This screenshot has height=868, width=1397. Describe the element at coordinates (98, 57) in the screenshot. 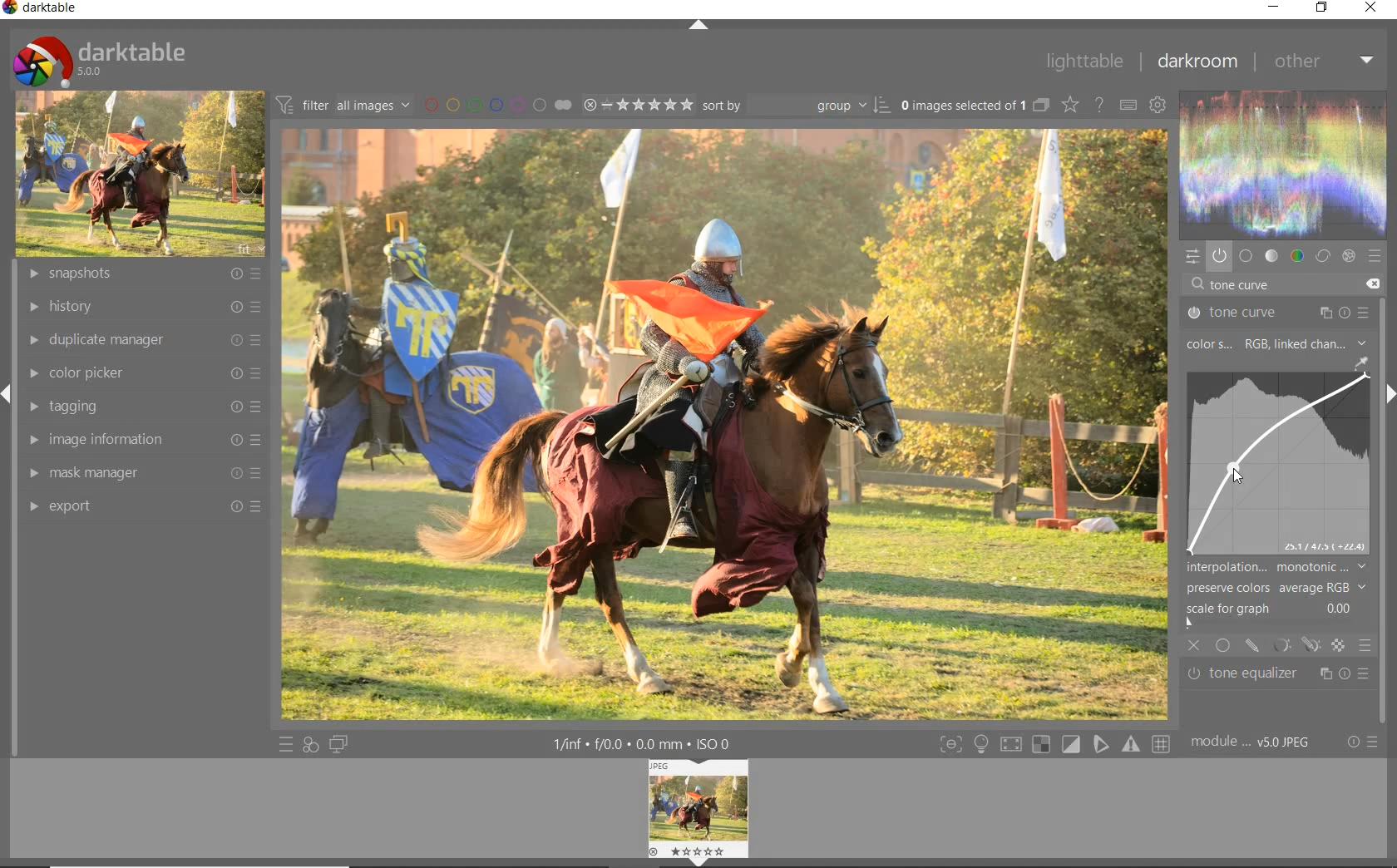

I see `darktable` at that location.